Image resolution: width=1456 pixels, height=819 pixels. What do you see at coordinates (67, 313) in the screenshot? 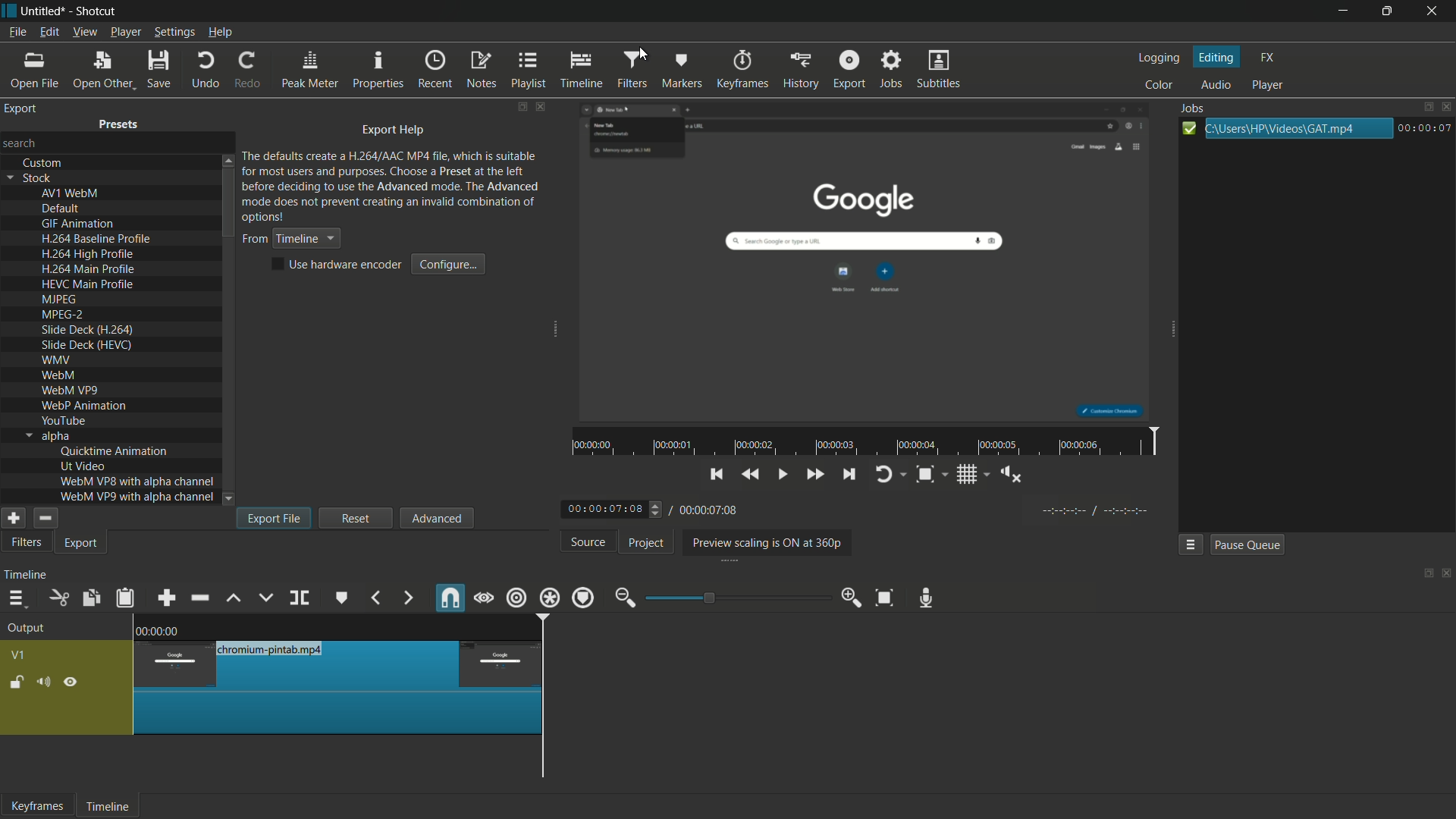
I see `MPEG-2` at bounding box center [67, 313].